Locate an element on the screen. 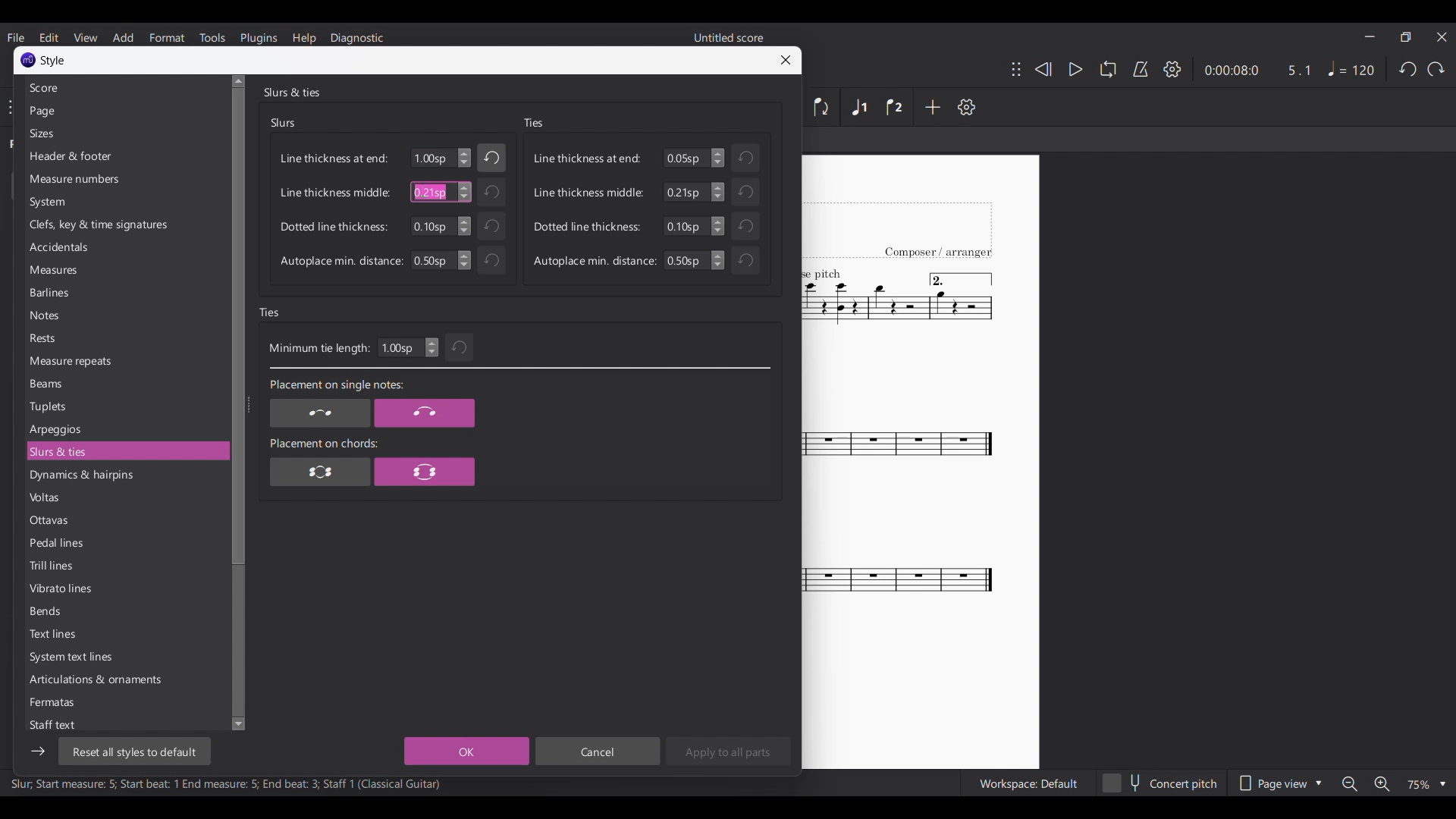 The width and height of the screenshot is (1456, 819). Line thickness middle is located at coordinates (588, 193).